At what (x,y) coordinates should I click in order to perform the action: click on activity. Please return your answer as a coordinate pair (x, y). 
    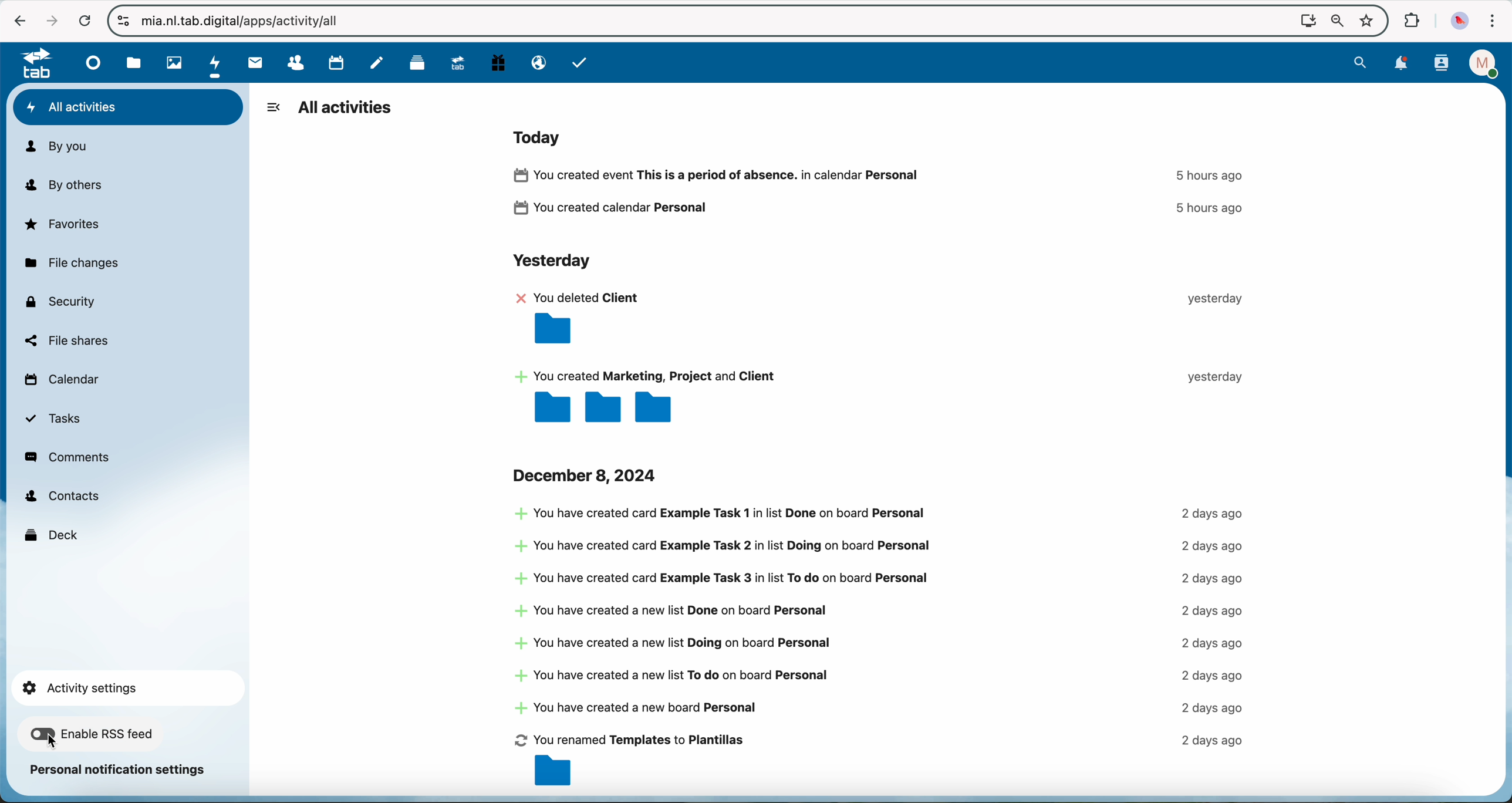
    Looking at the image, I should click on (885, 356).